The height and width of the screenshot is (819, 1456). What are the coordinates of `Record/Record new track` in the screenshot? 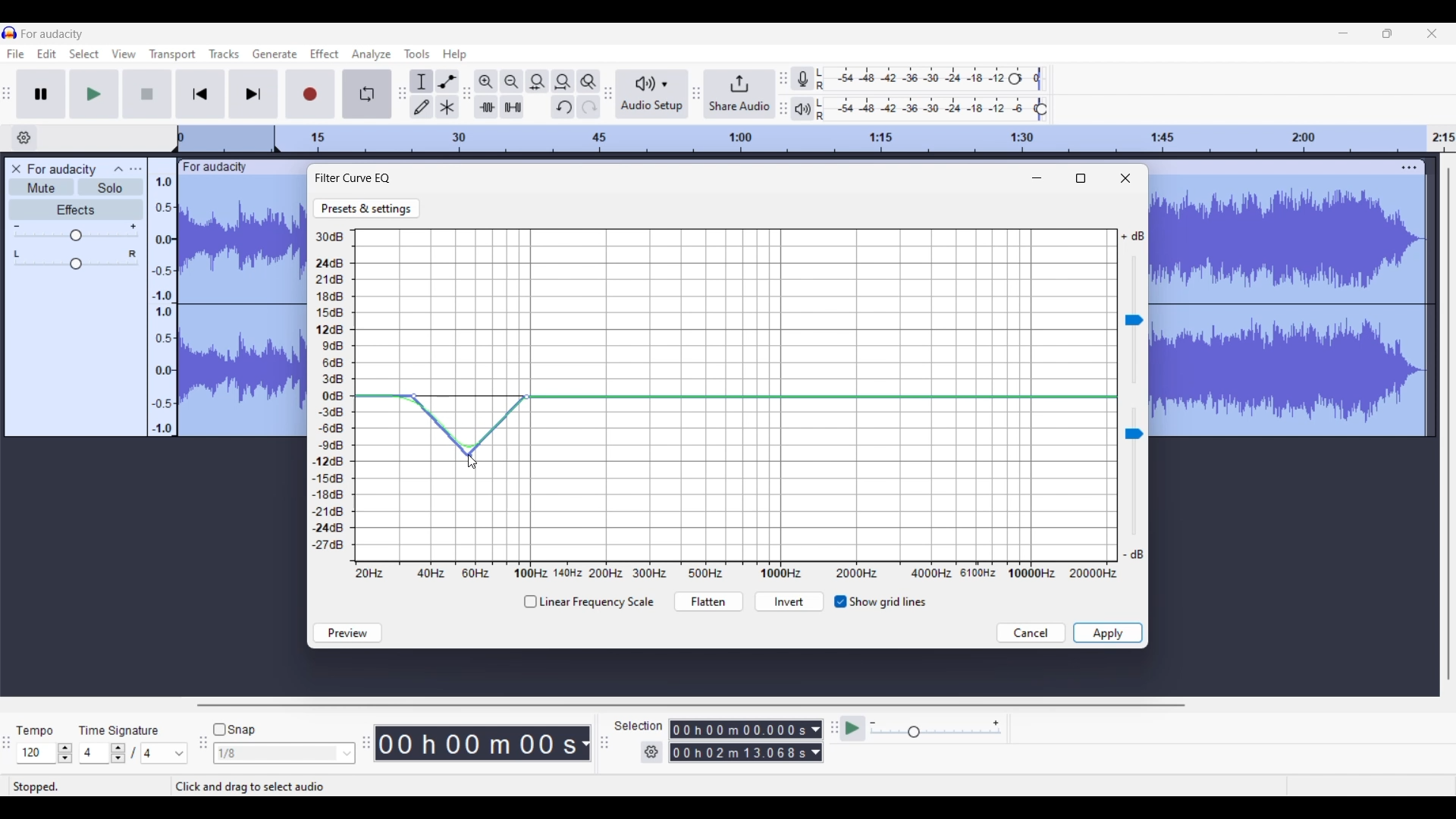 It's located at (315, 95).